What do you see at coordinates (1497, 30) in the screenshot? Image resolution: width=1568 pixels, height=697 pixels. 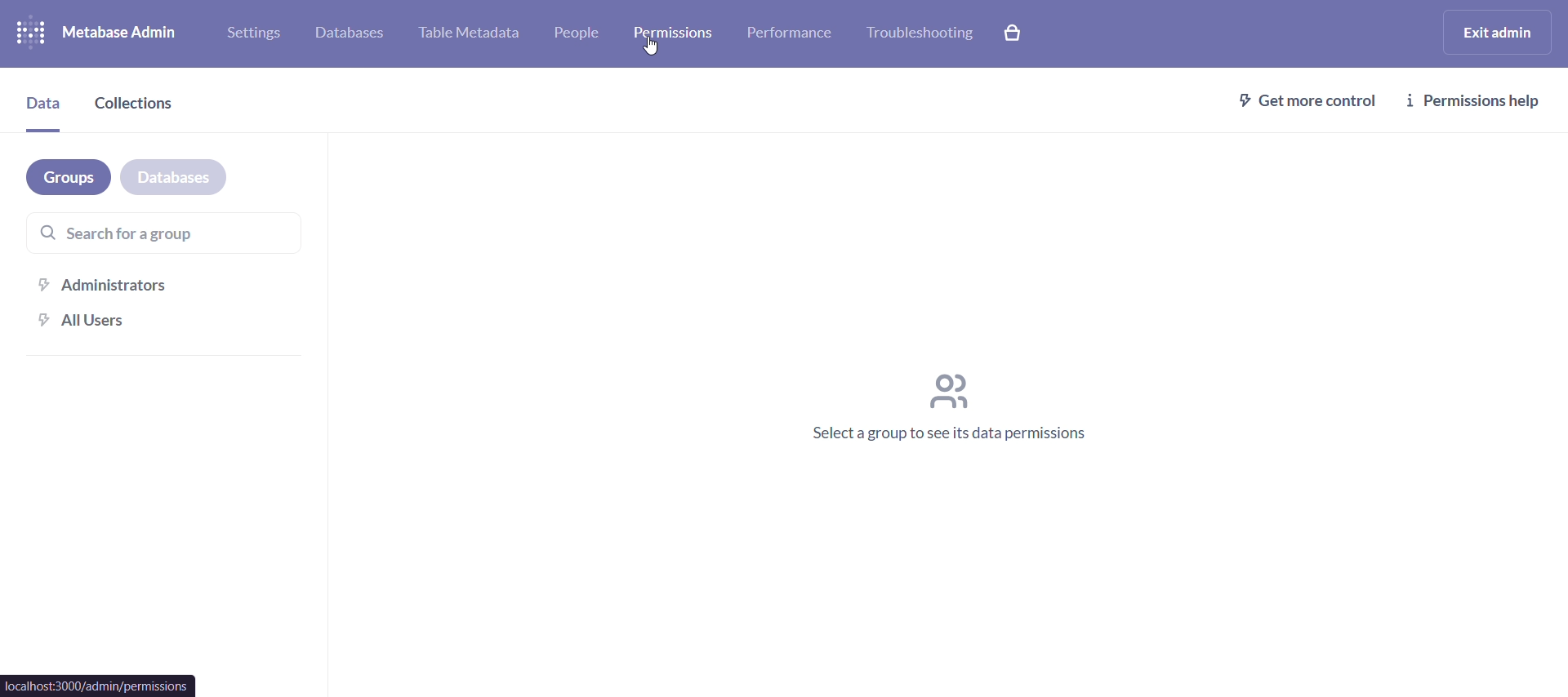 I see `exit admin` at bounding box center [1497, 30].